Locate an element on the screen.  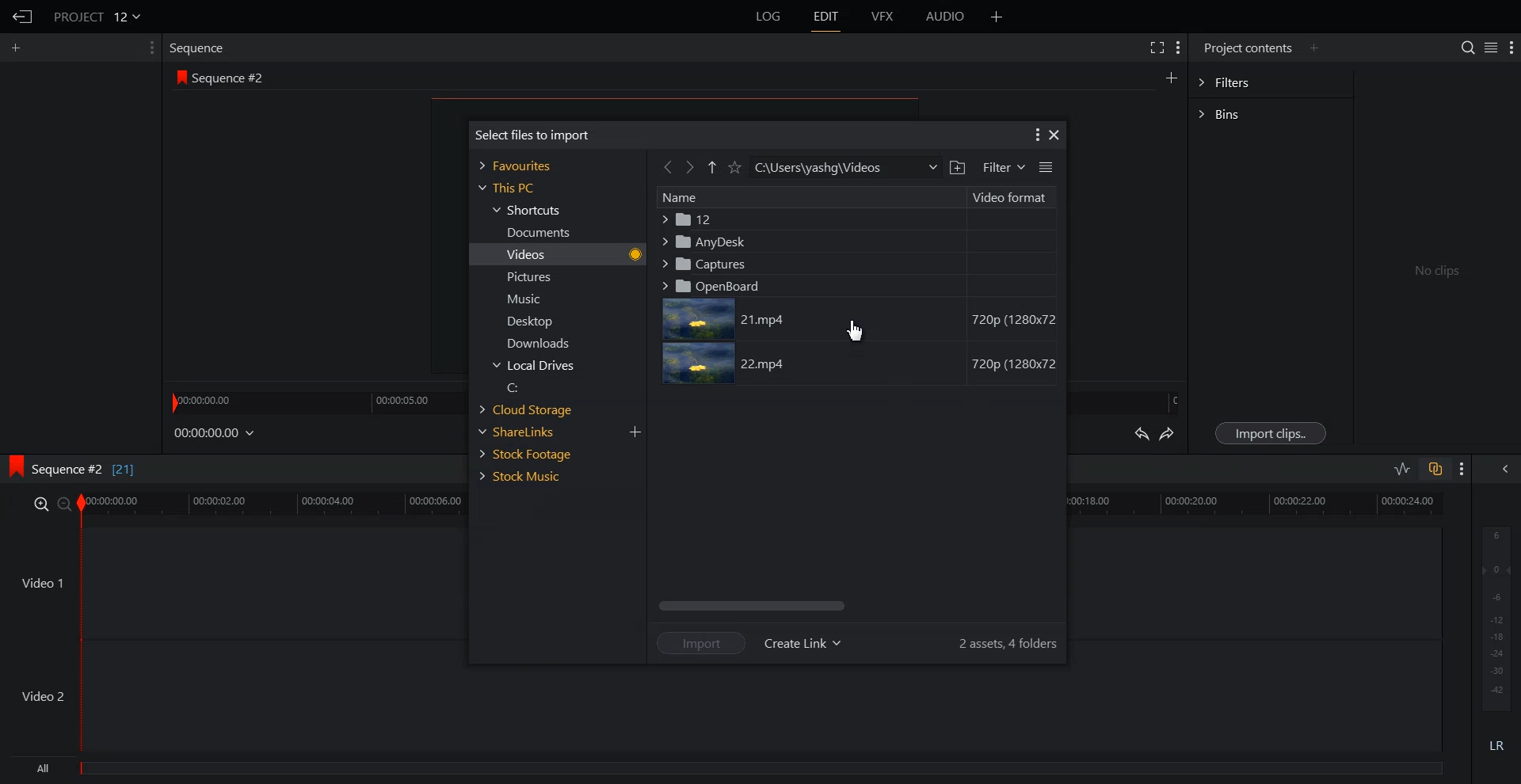
00:00:00.00 is located at coordinates (215, 433).